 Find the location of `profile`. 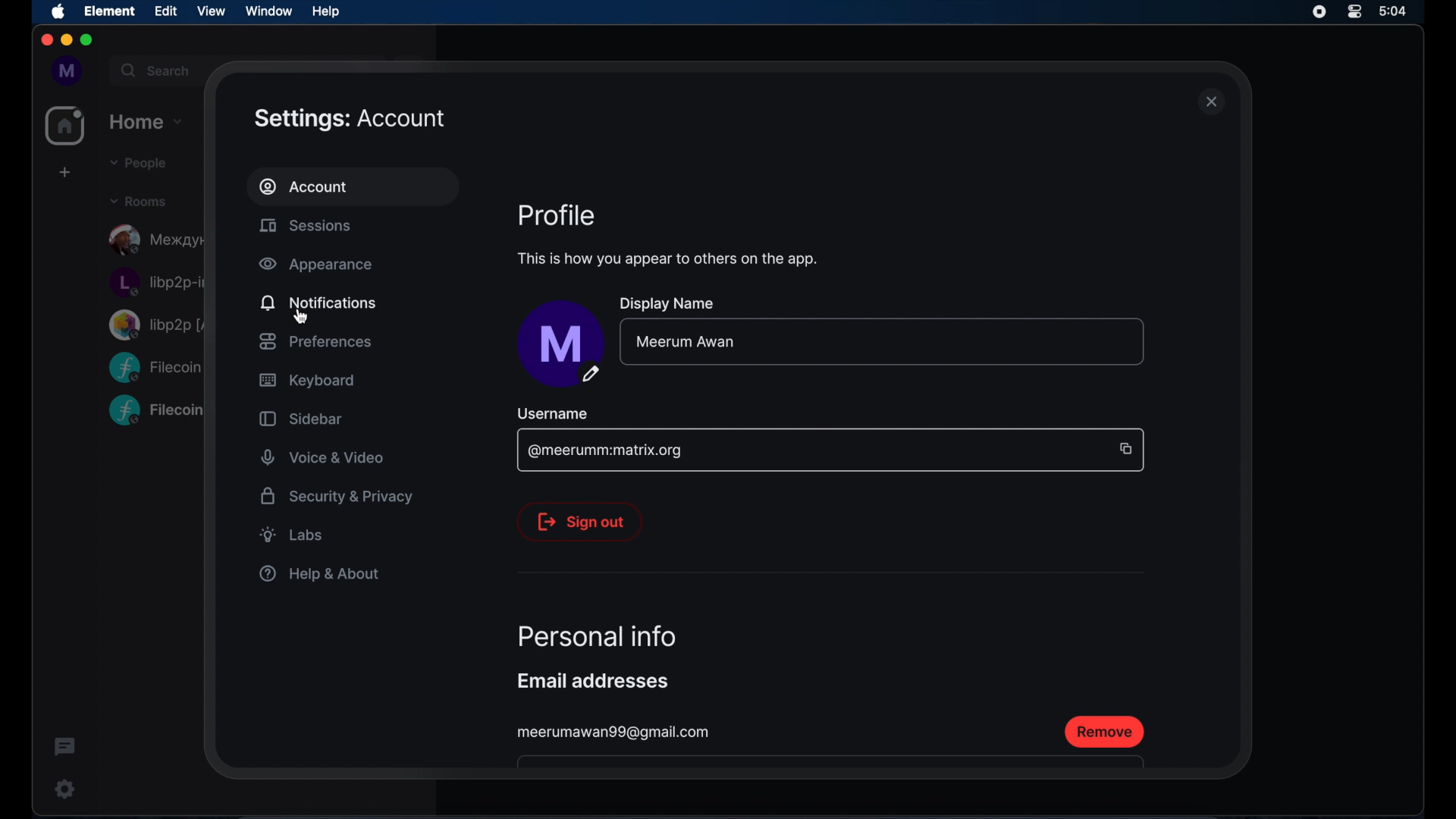

profile is located at coordinates (557, 215).